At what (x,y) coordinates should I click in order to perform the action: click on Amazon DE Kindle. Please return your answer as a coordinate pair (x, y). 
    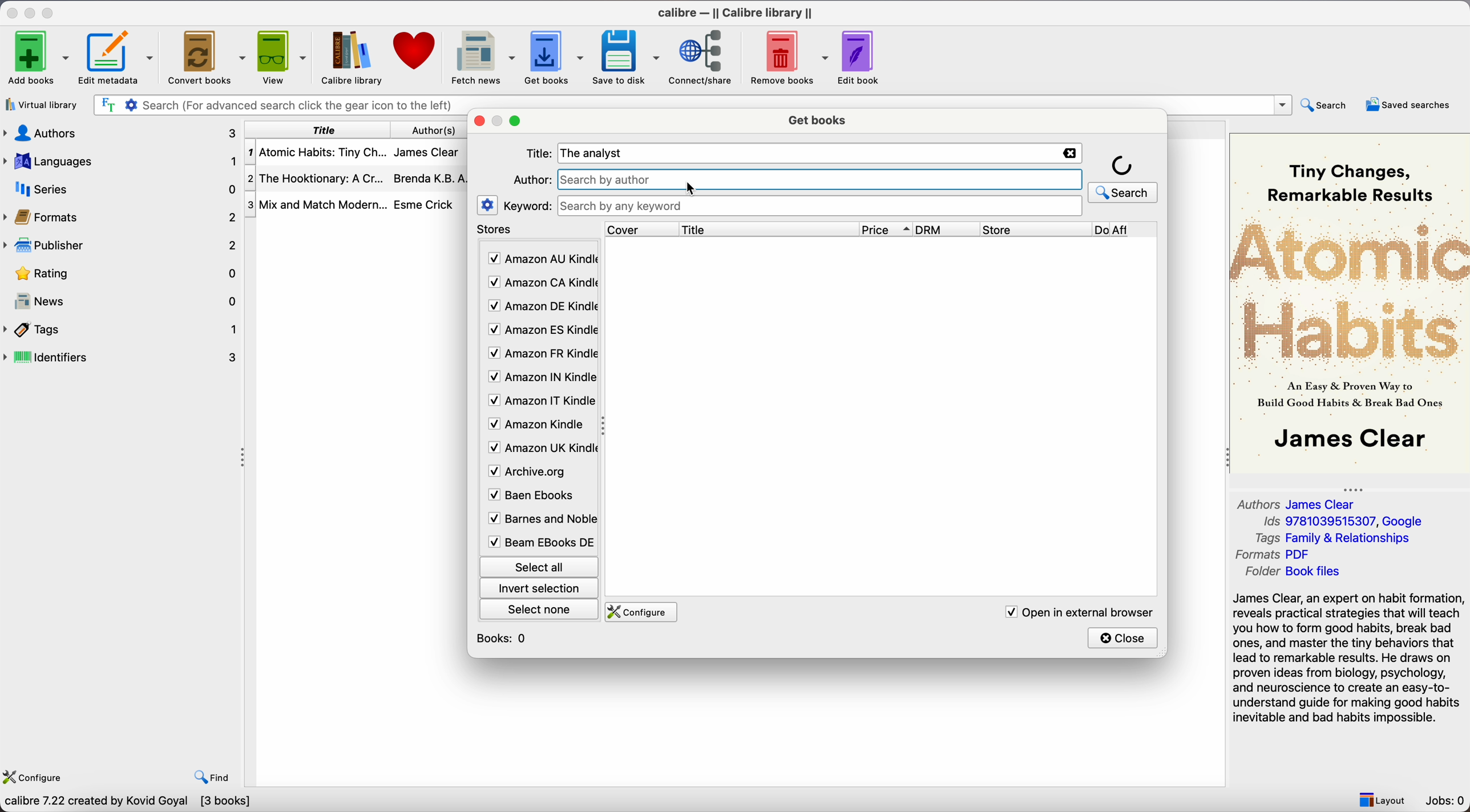
    Looking at the image, I should click on (541, 308).